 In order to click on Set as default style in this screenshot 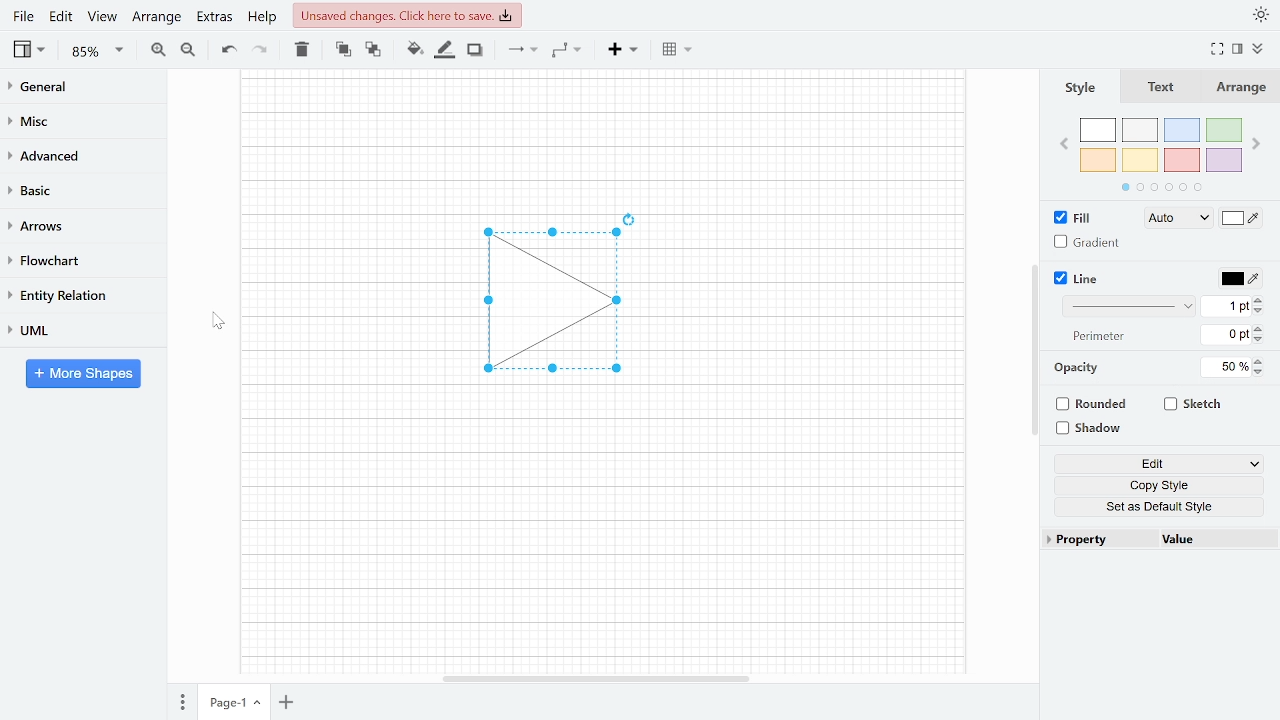, I will do `click(1162, 506)`.